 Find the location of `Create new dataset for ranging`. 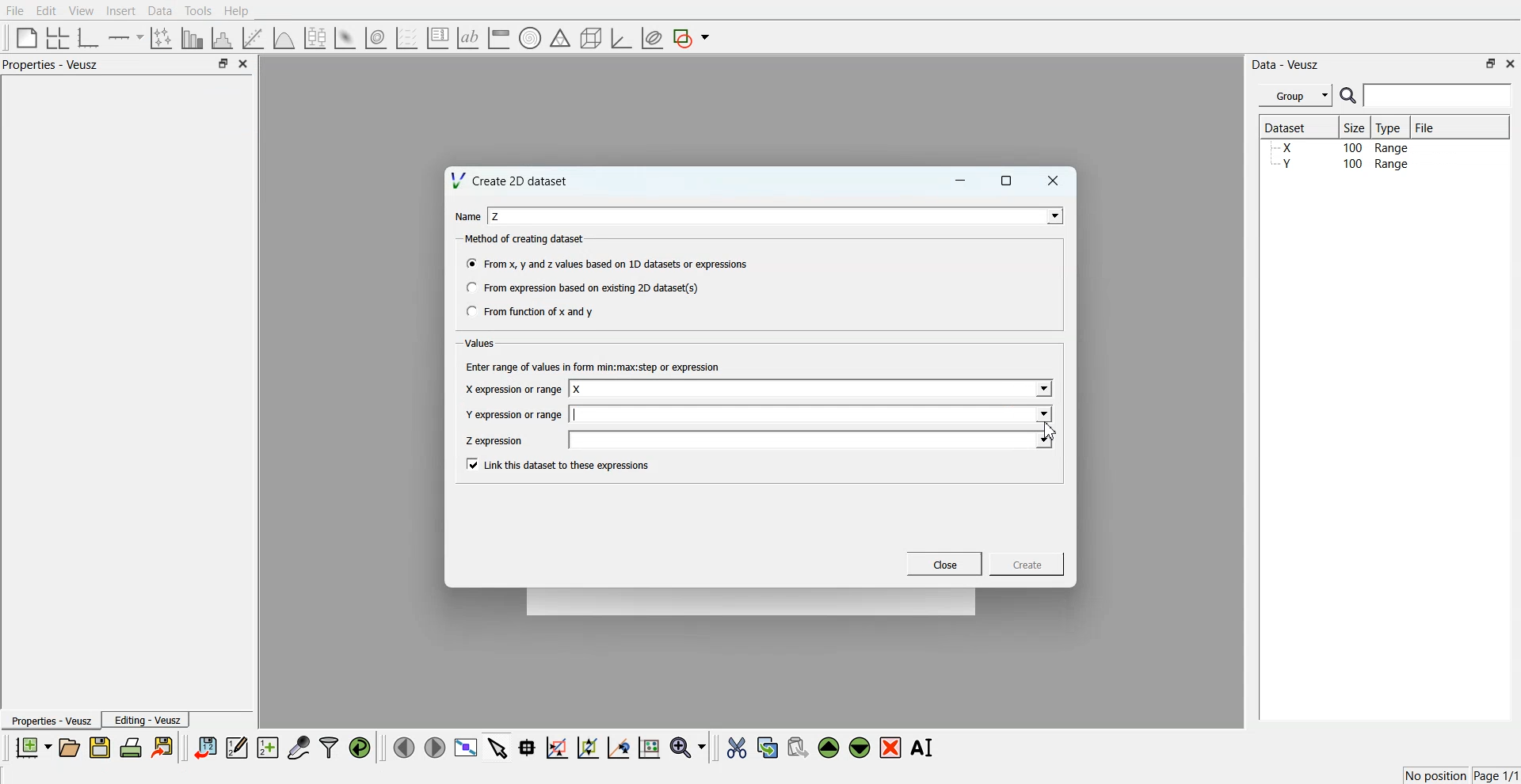

Create new dataset for ranging is located at coordinates (267, 748).